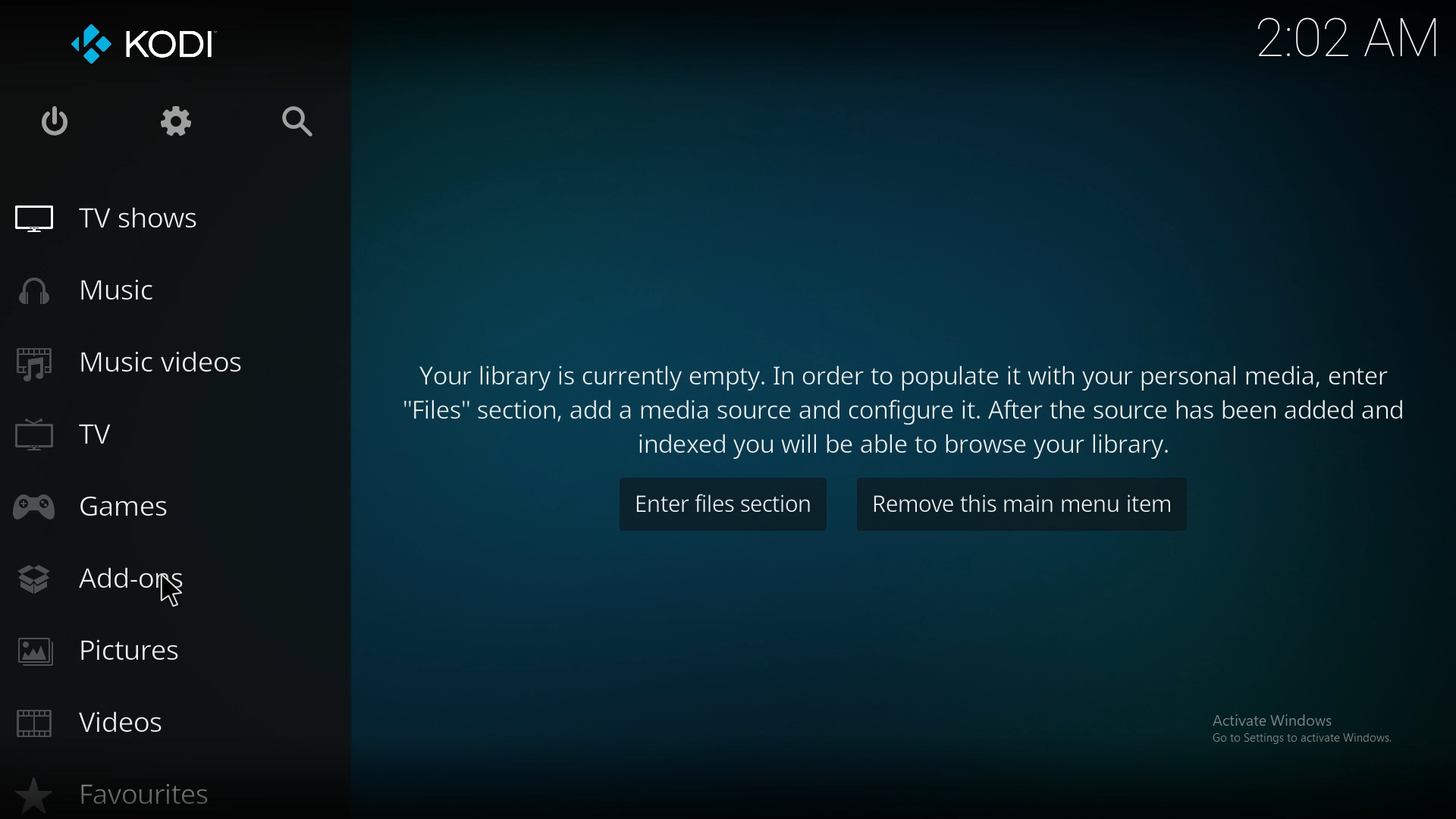 Image resolution: width=1456 pixels, height=819 pixels. I want to click on music videos, so click(147, 362).